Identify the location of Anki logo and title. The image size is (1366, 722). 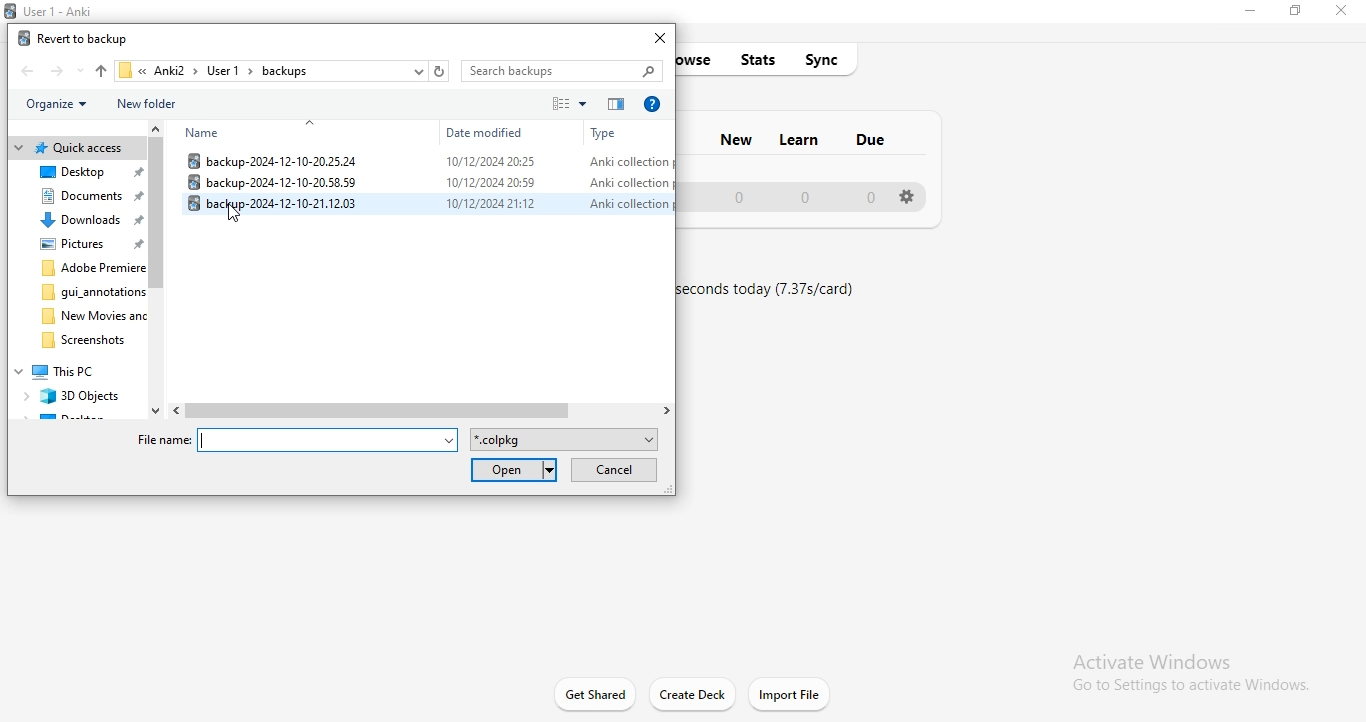
(59, 8).